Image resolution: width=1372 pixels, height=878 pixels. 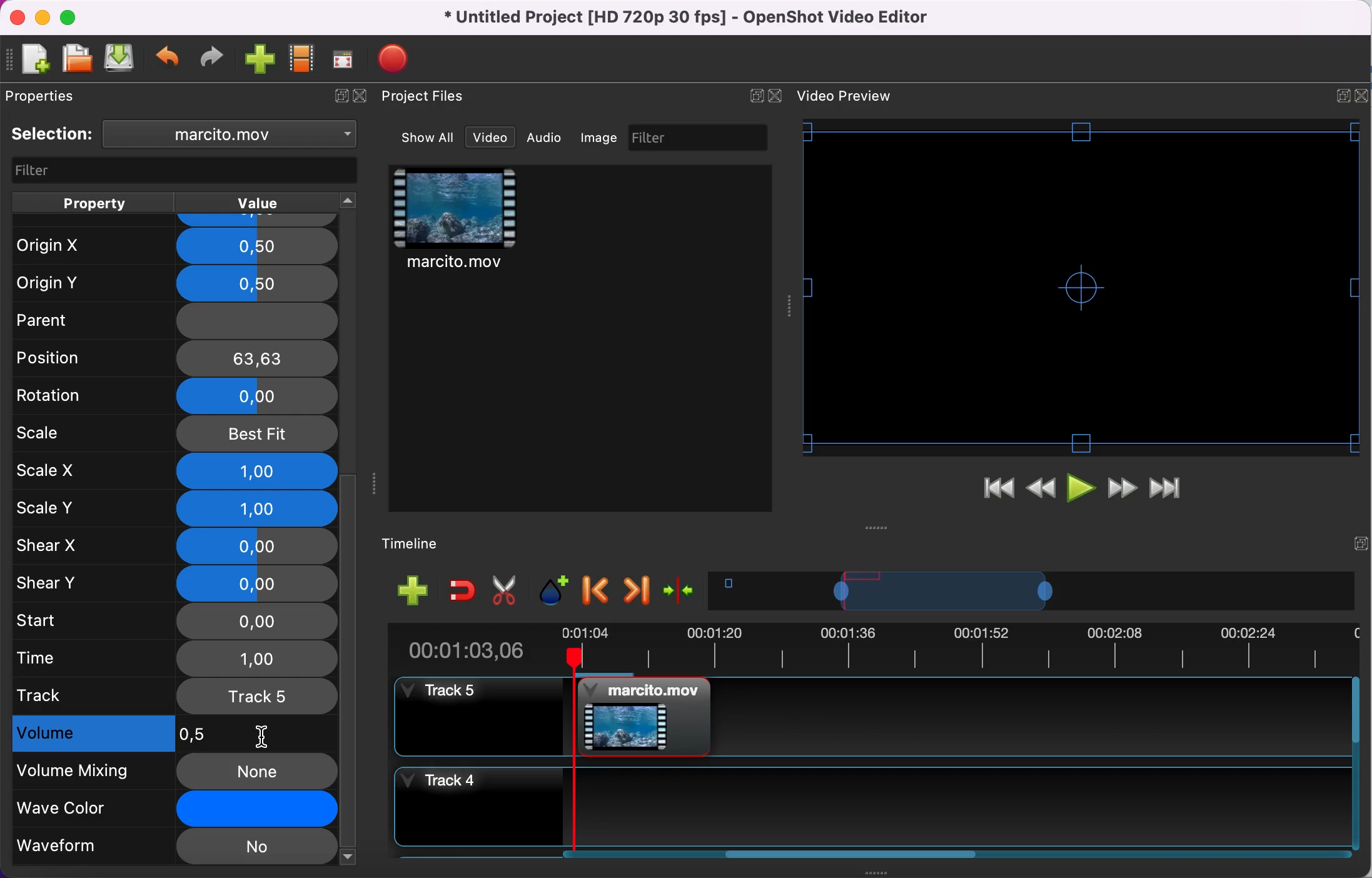 I want to click on video, so click(x=456, y=221).